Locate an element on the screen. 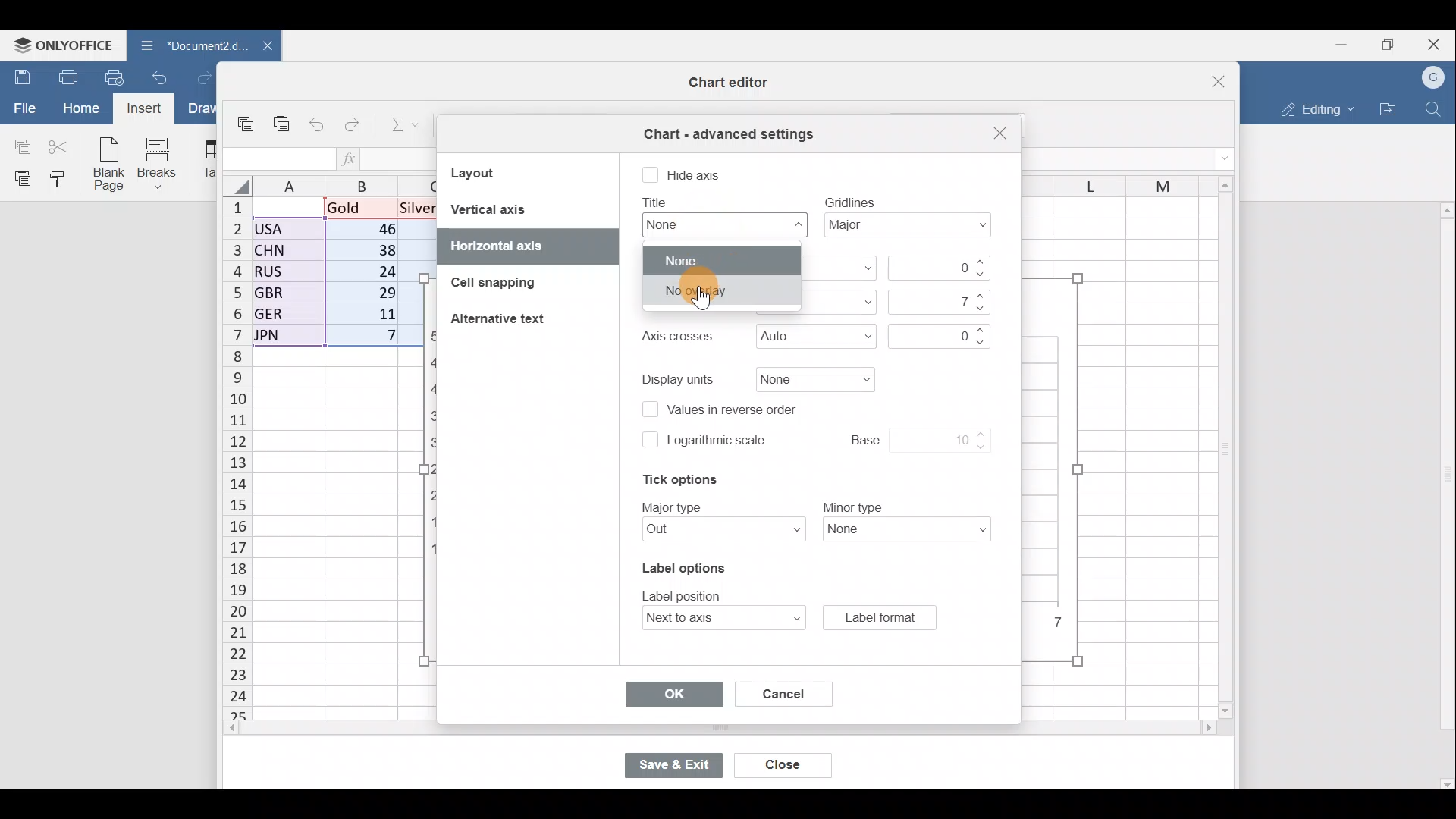  Undo is located at coordinates (315, 122).